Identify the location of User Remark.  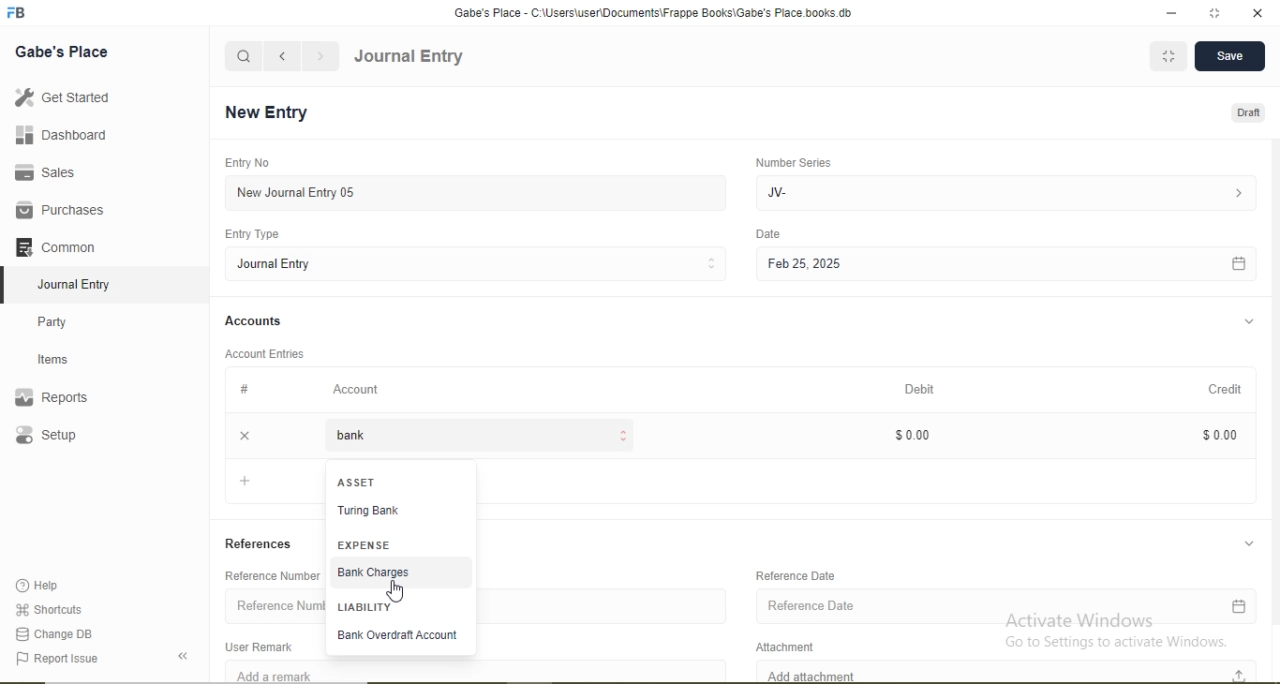
(264, 645).